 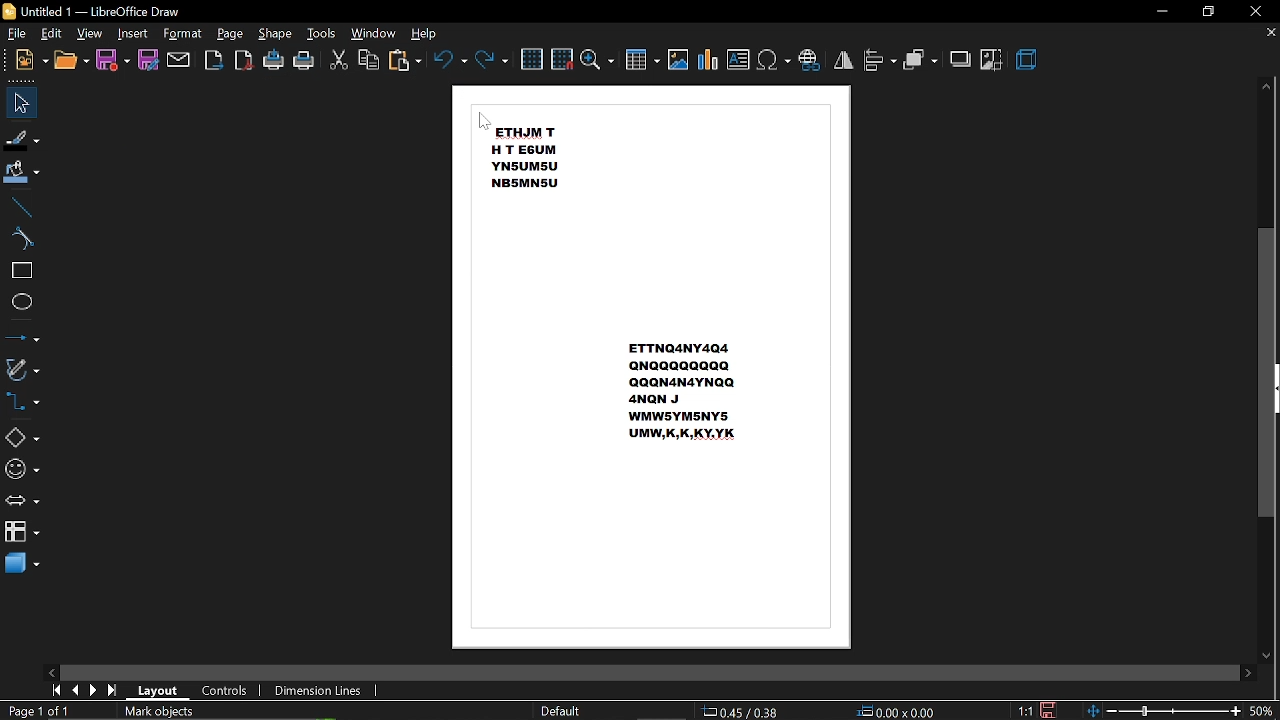 What do you see at coordinates (743, 708) in the screenshot?
I see `0.45/0.38` at bounding box center [743, 708].